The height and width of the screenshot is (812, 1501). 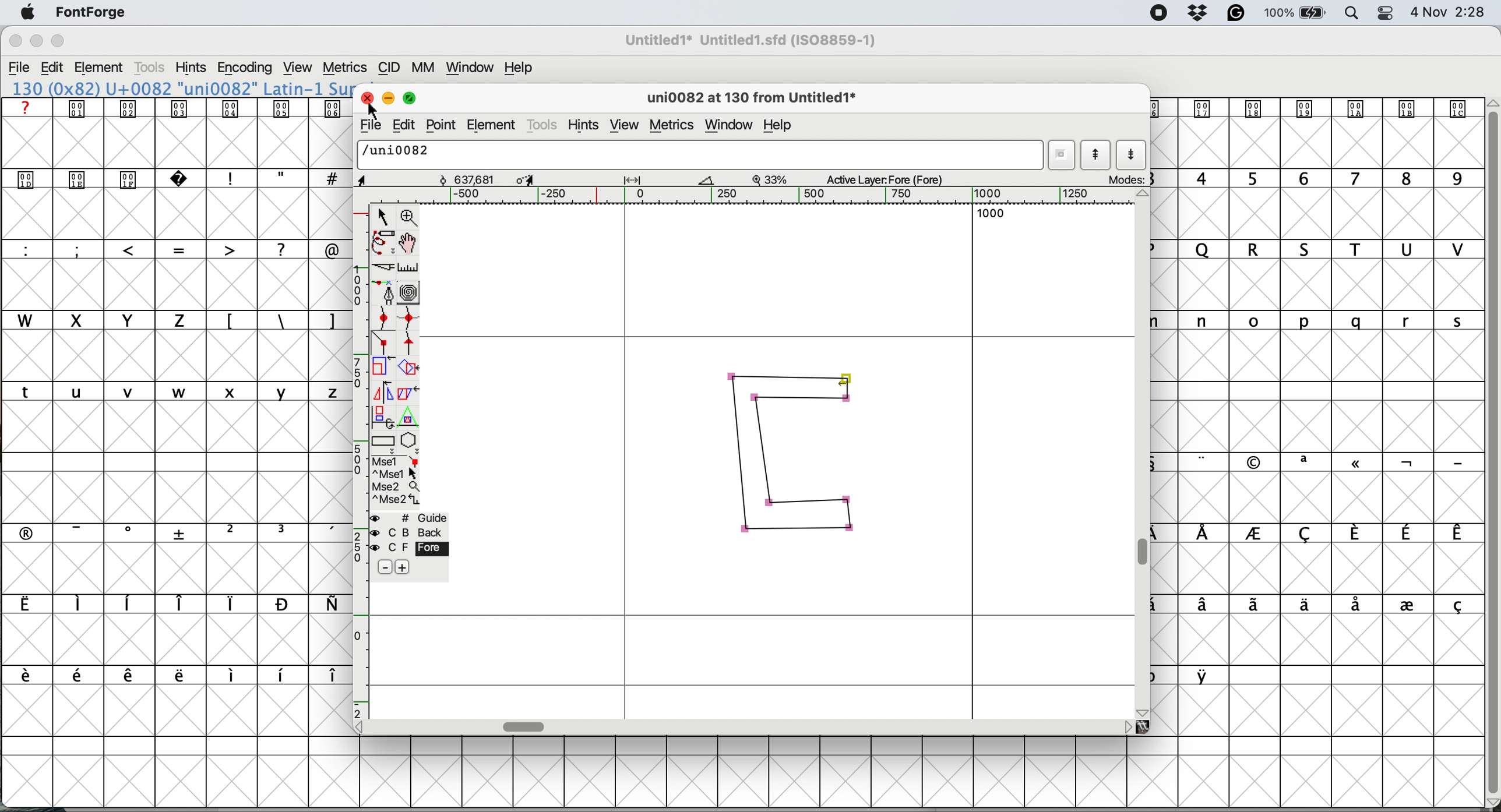 What do you see at coordinates (152, 68) in the screenshot?
I see `tools` at bounding box center [152, 68].